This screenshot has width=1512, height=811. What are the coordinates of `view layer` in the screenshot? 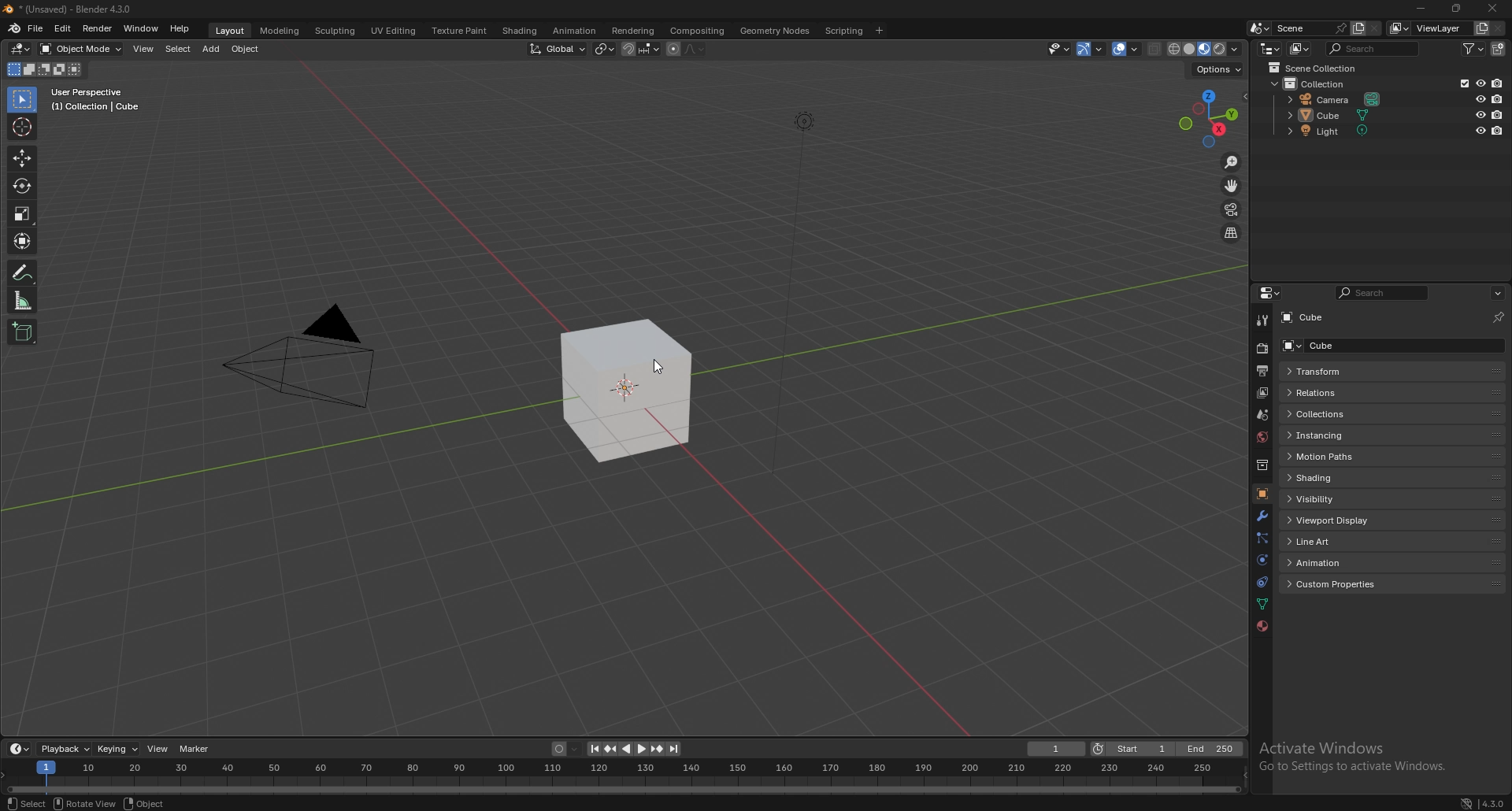 It's located at (1427, 28).